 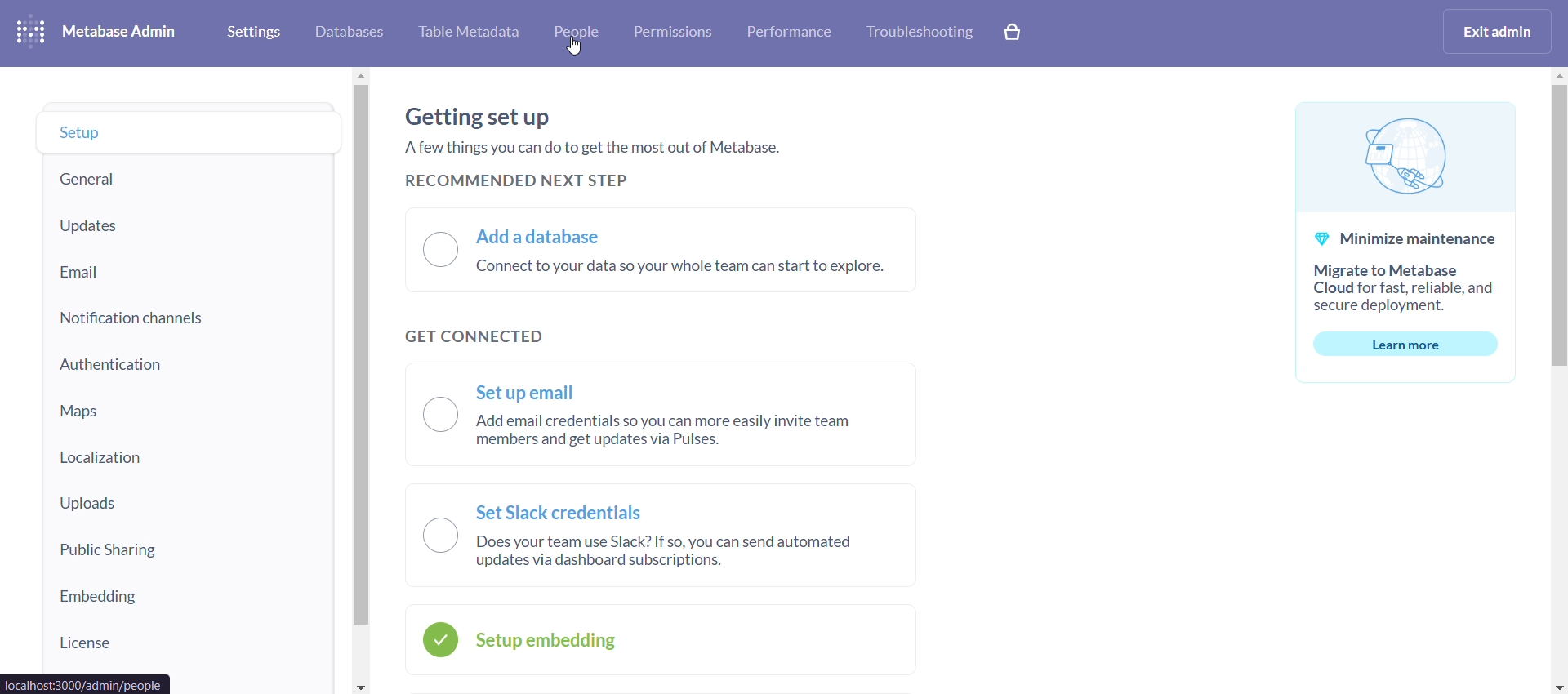 I want to click on setup embedding, so click(x=658, y=641).